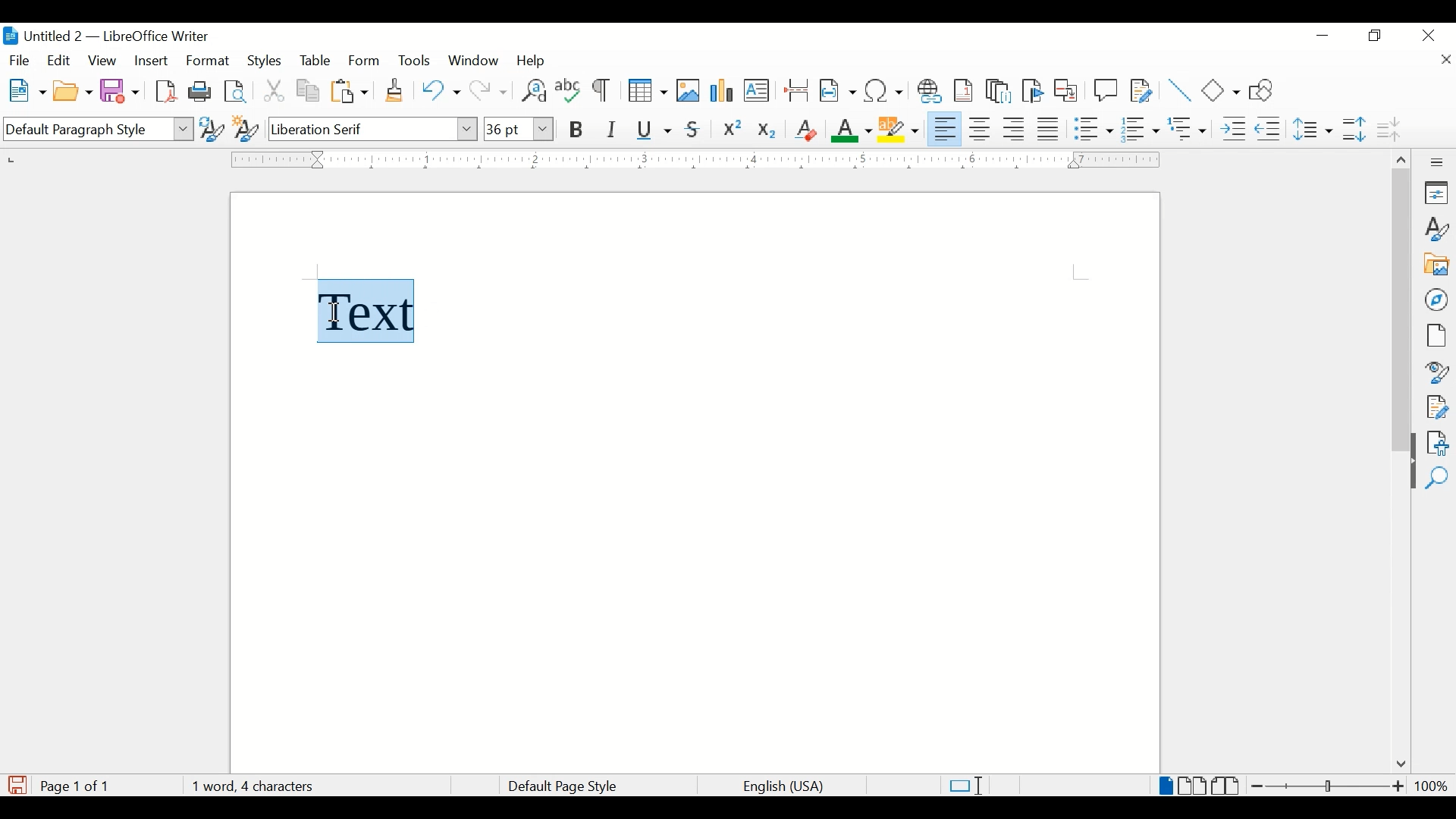 Image resolution: width=1456 pixels, height=819 pixels. What do you see at coordinates (768, 133) in the screenshot?
I see `subscript` at bounding box center [768, 133].